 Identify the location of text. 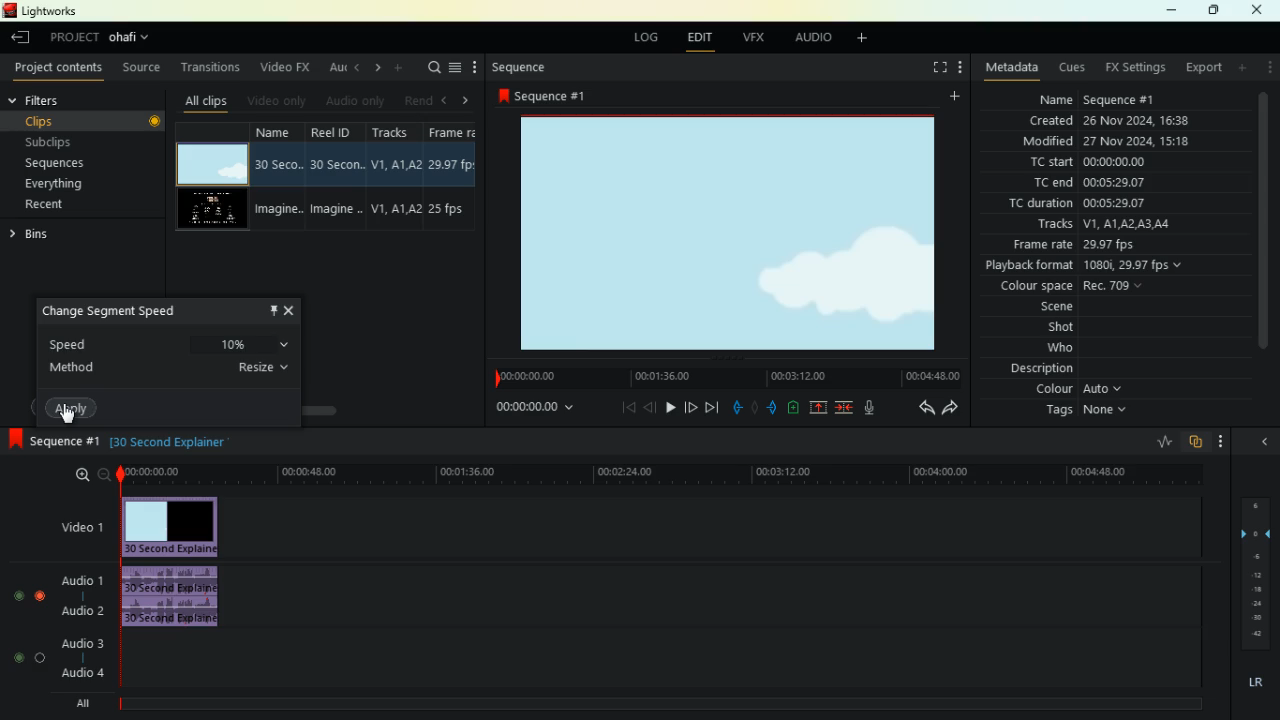
(189, 445).